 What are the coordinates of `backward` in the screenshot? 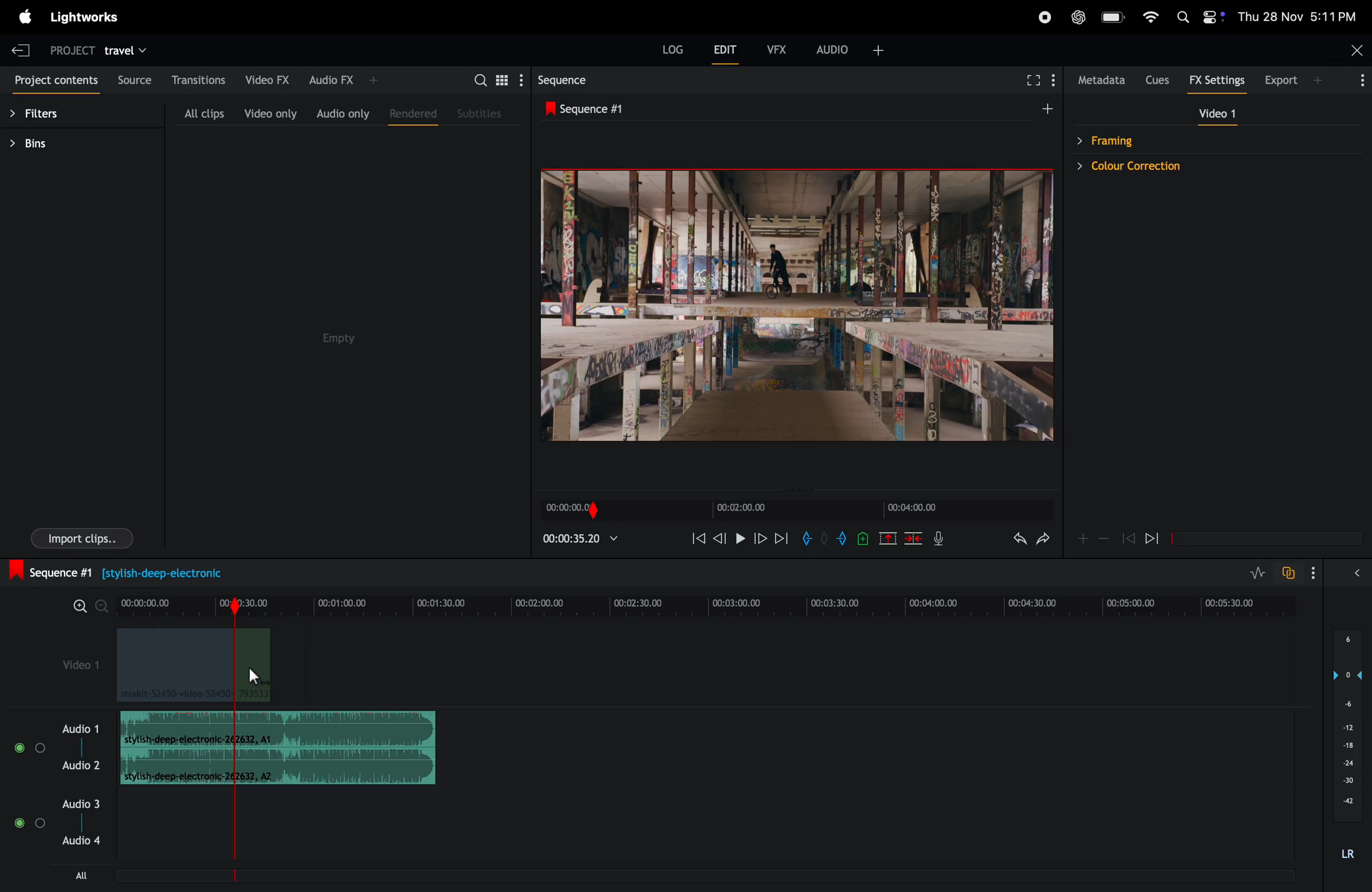 It's located at (720, 540).